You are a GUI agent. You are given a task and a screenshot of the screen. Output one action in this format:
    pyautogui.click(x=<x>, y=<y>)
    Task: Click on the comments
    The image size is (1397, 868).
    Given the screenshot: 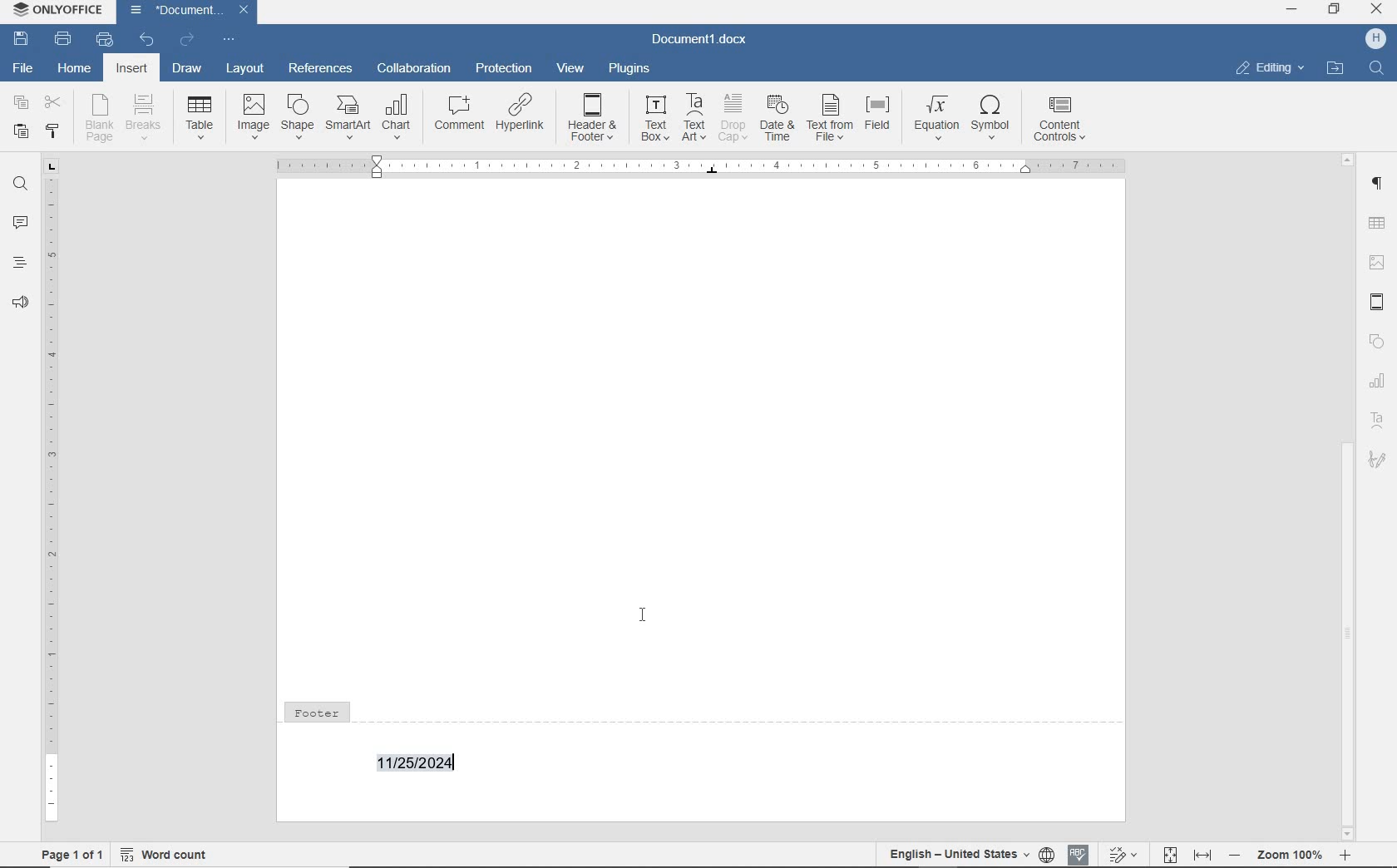 What is the action you would take?
    pyautogui.click(x=18, y=222)
    